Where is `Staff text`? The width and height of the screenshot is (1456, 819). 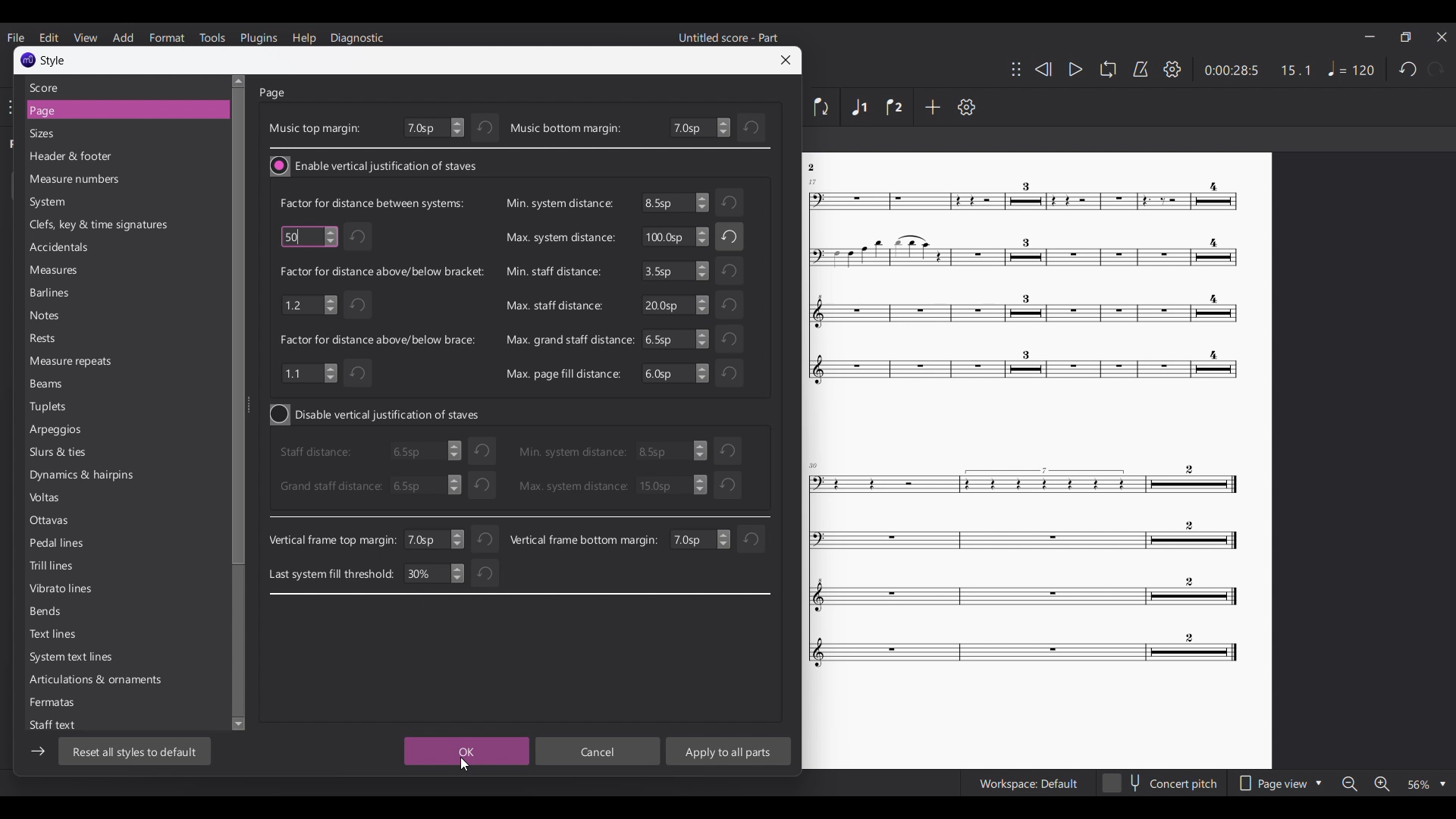
Staff text is located at coordinates (63, 726).